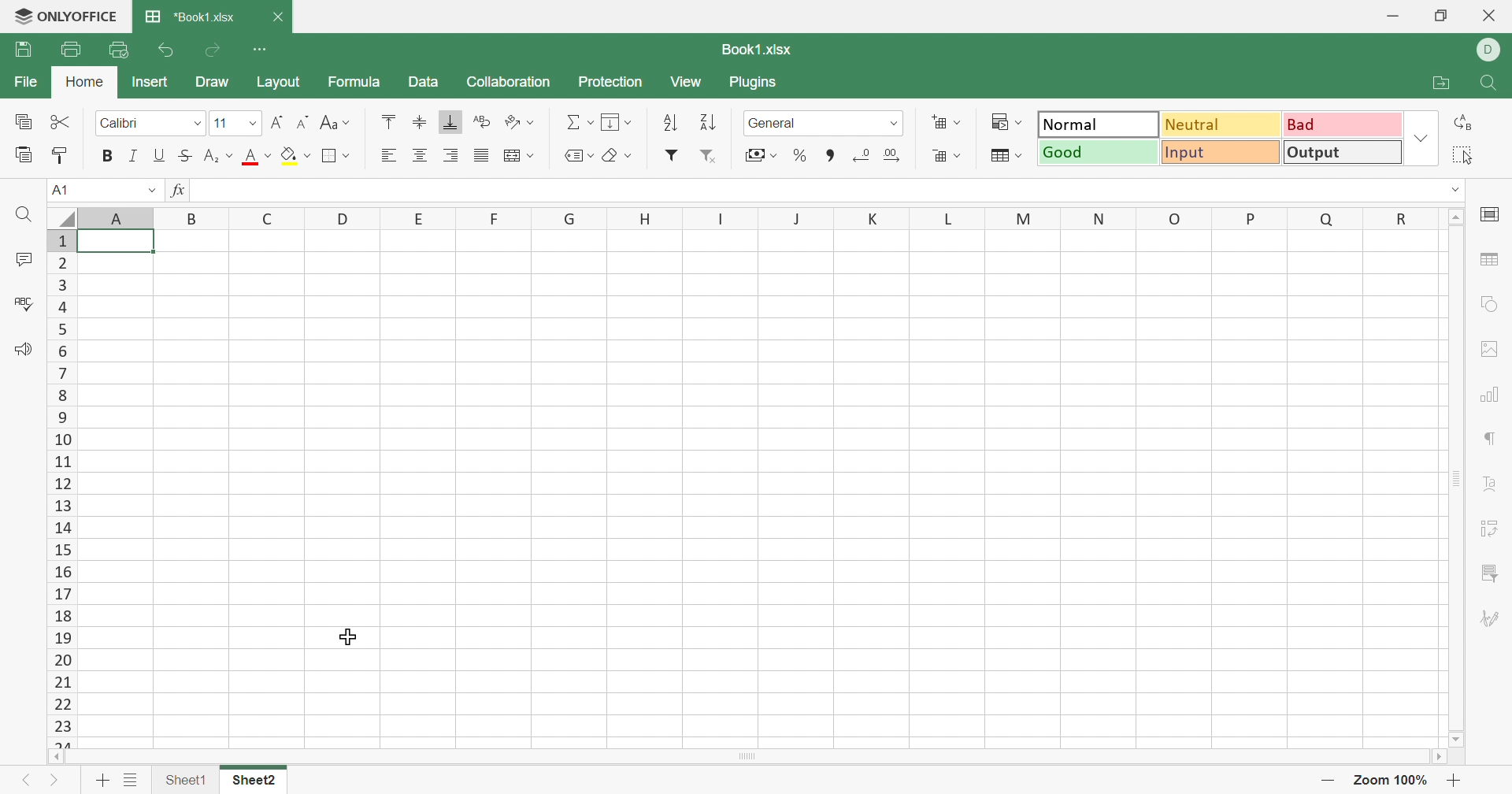  What do you see at coordinates (57, 264) in the screenshot?
I see `2` at bounding box center [57, 264].